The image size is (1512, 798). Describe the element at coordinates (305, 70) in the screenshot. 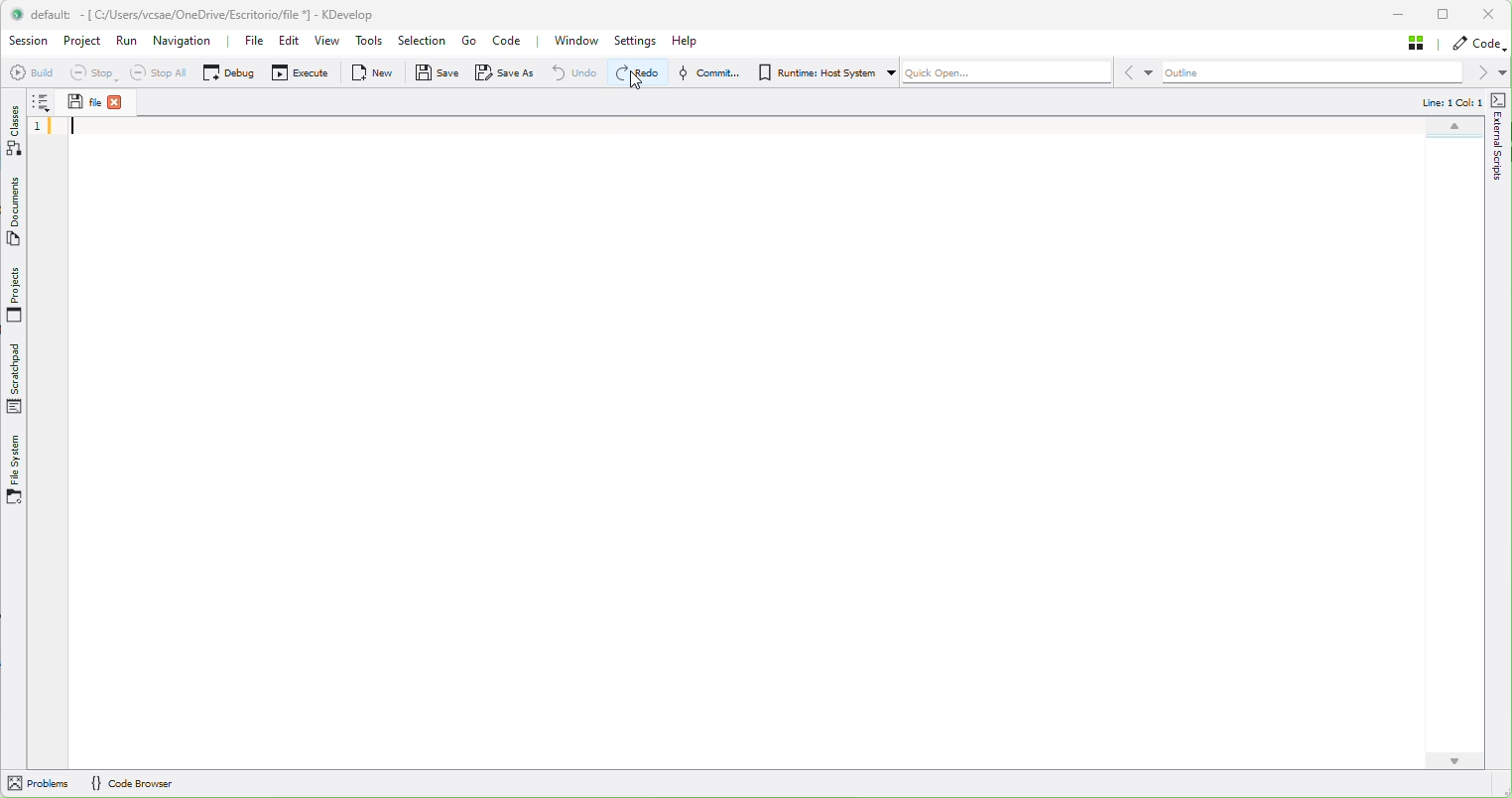

I see `Execute` at that location.